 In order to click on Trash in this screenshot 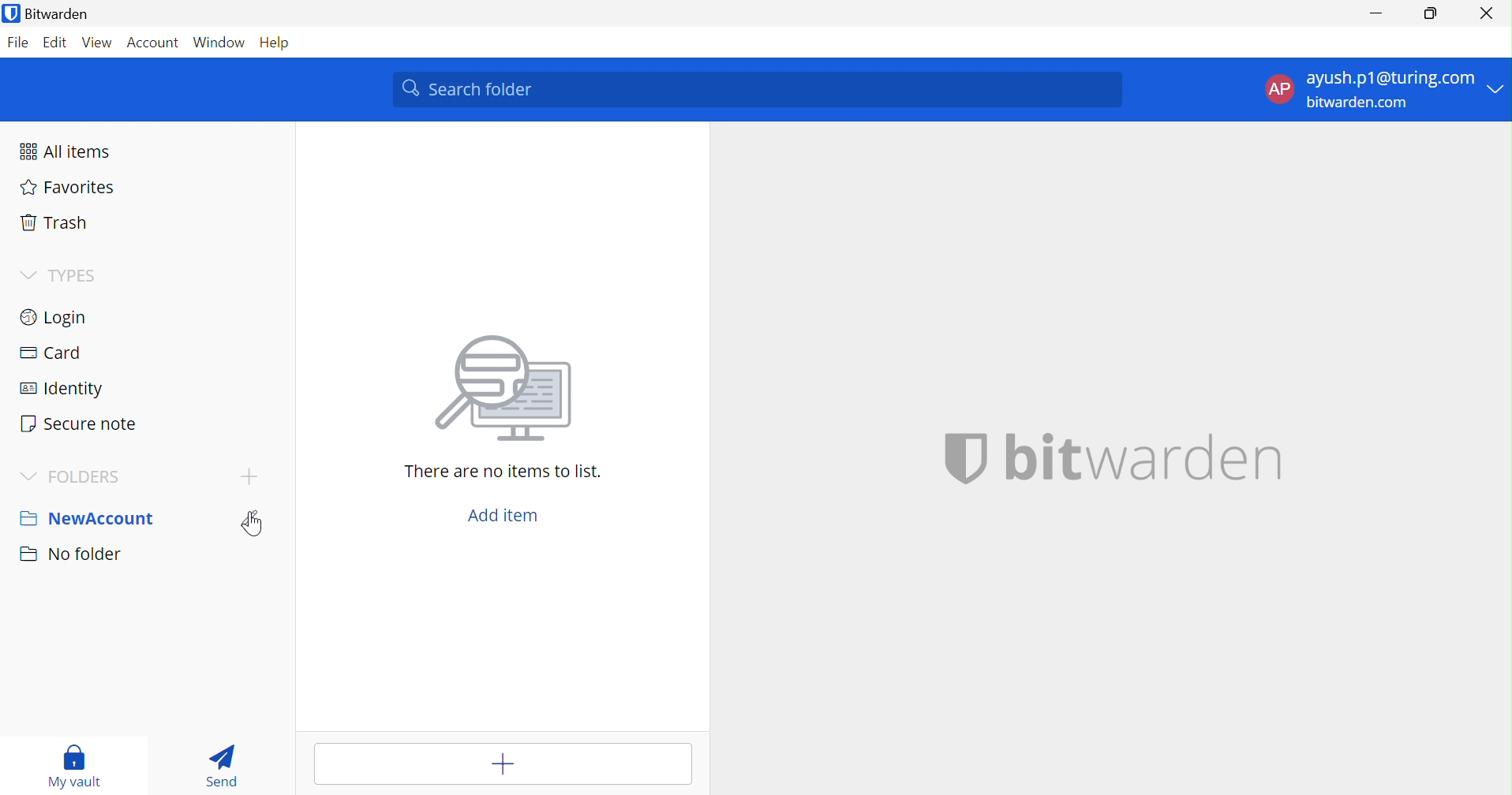, I will do `click(56, 222)`.